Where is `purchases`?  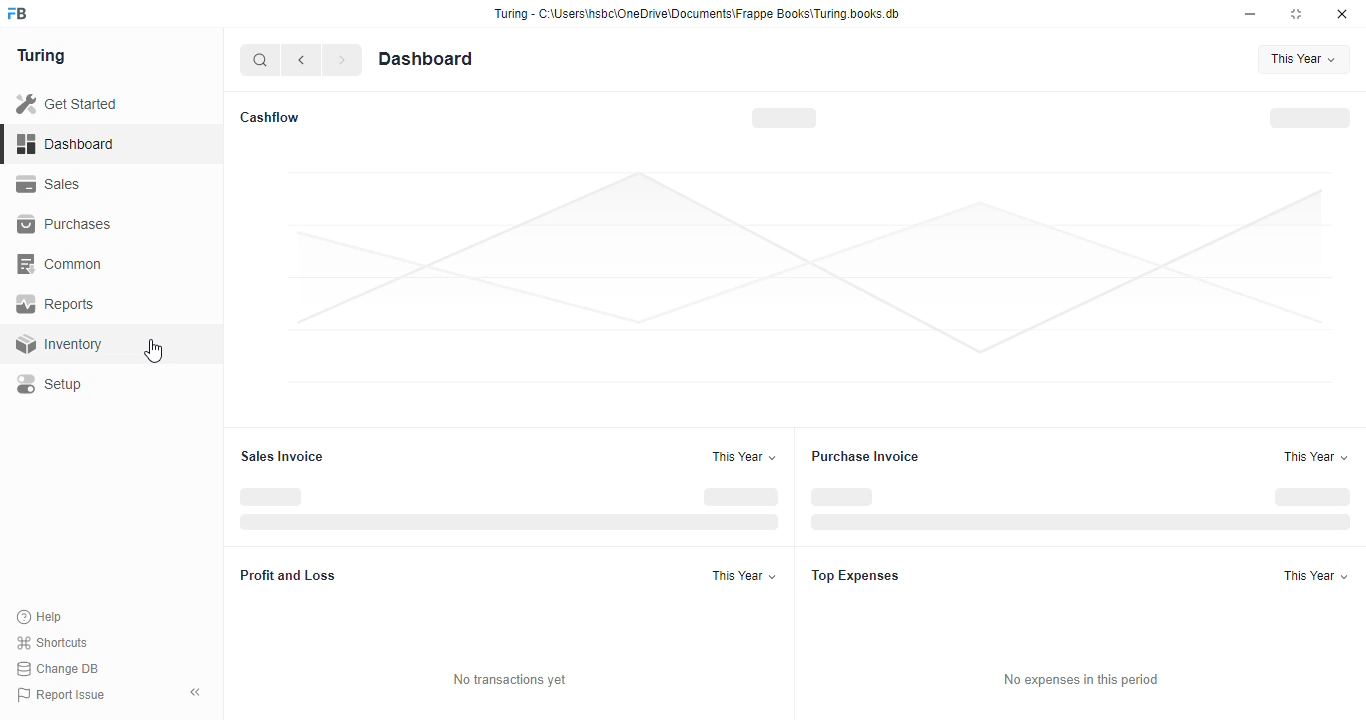
purchases is located at coordinates (64, 224).